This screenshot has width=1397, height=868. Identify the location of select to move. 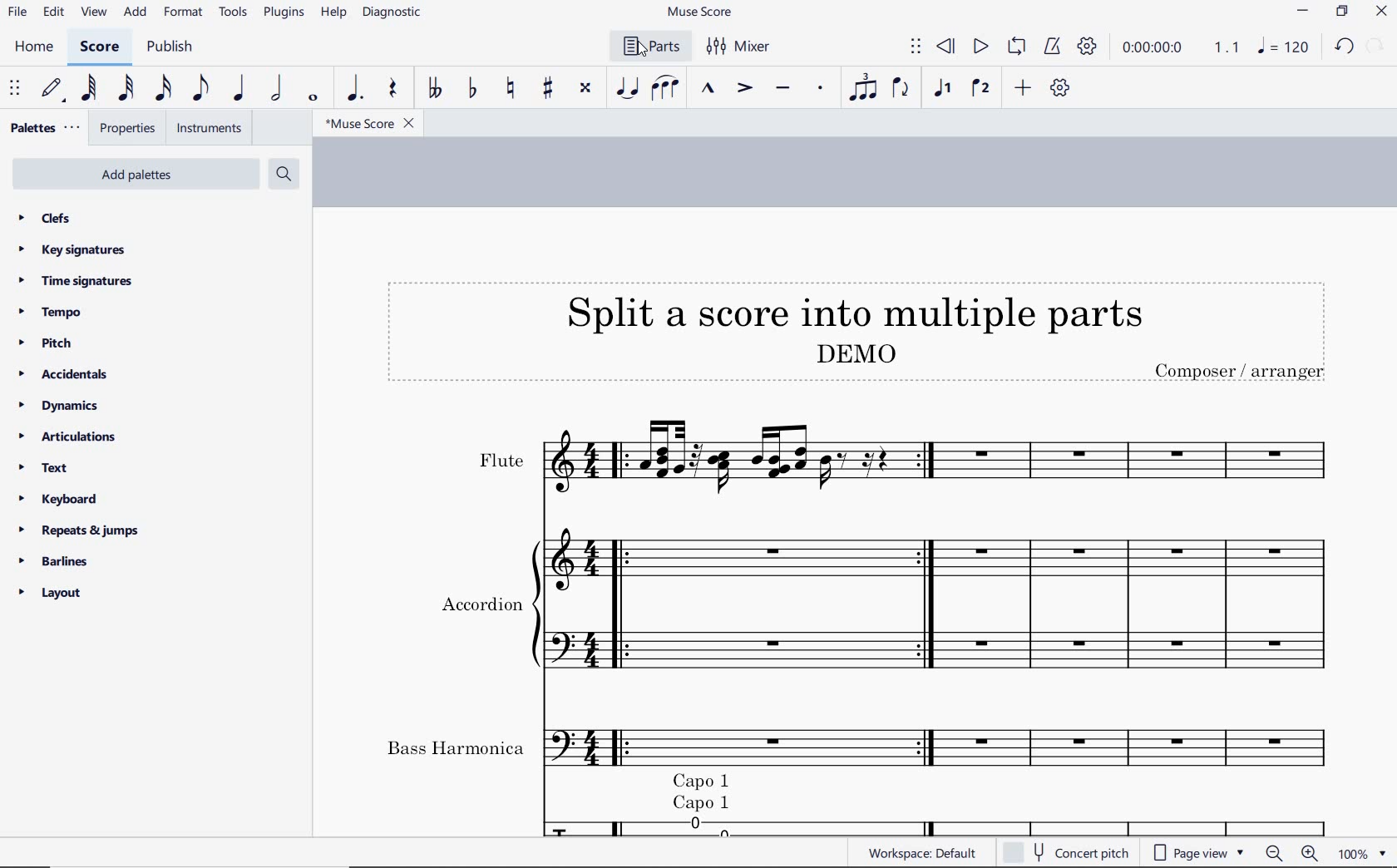
(916, 48).